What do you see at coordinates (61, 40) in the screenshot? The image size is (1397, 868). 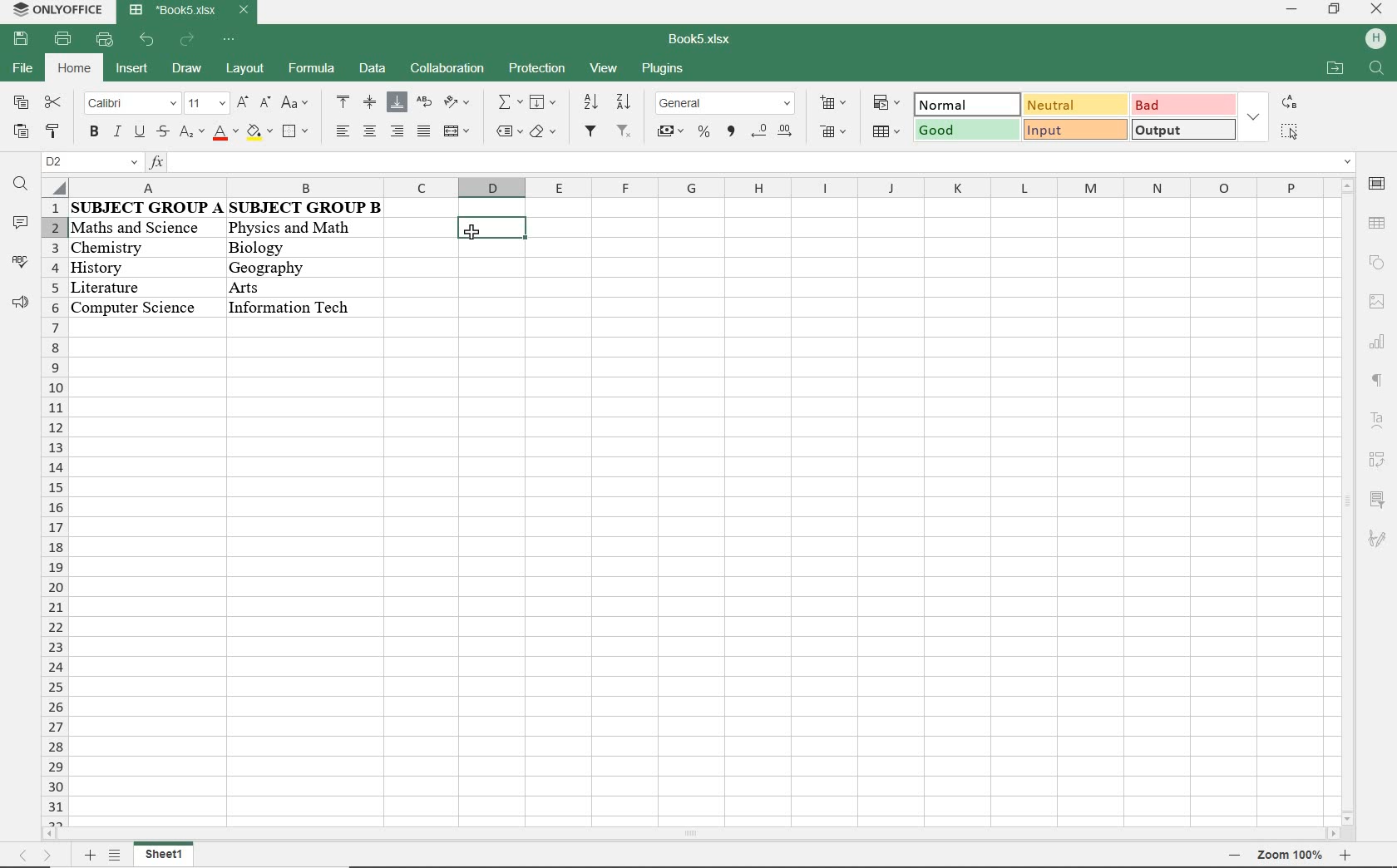 I see `print` at bounding box center [61, 40].